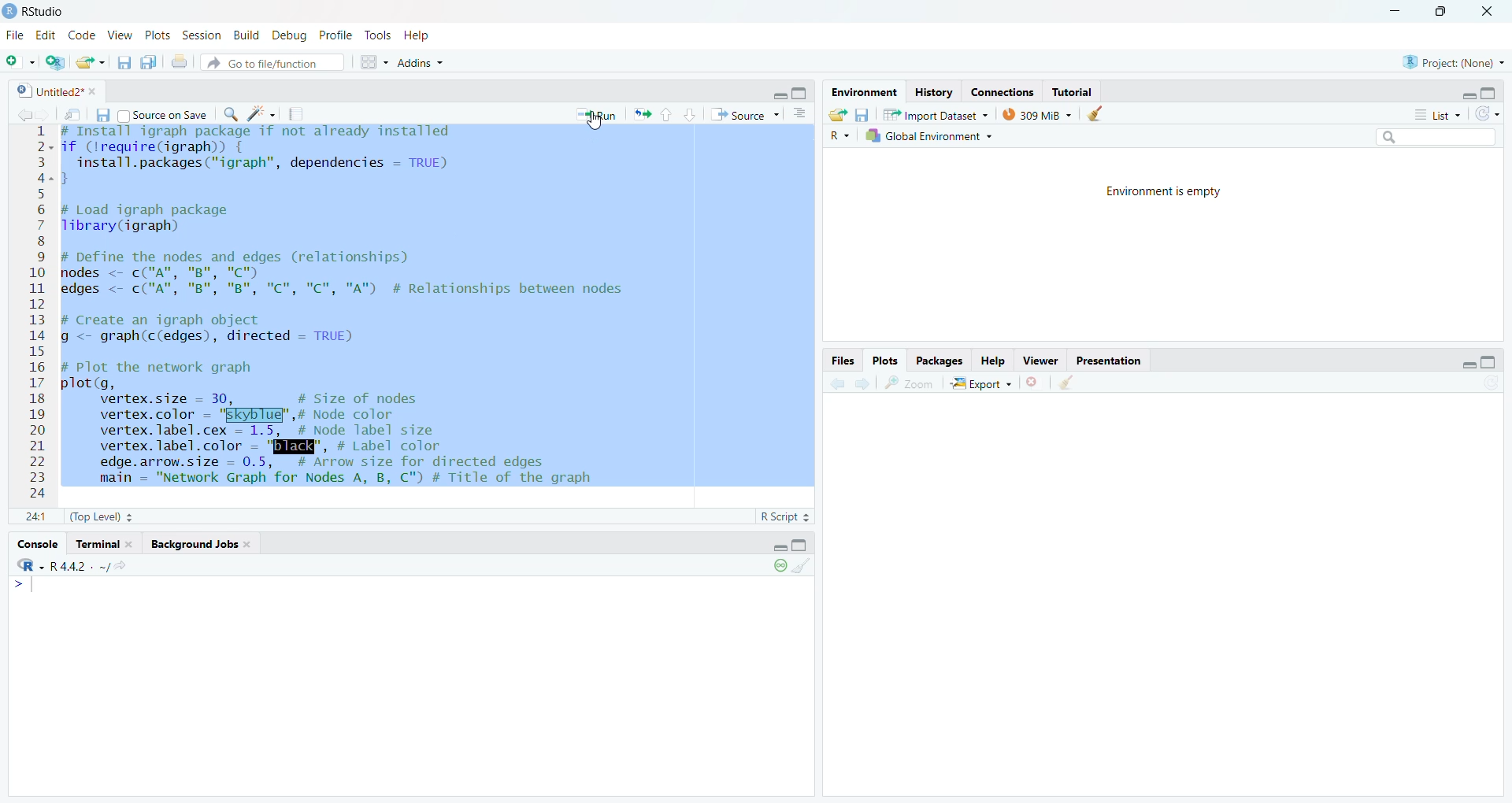 The image size is (1512, 803). I want to click on files, so click(120, 64).